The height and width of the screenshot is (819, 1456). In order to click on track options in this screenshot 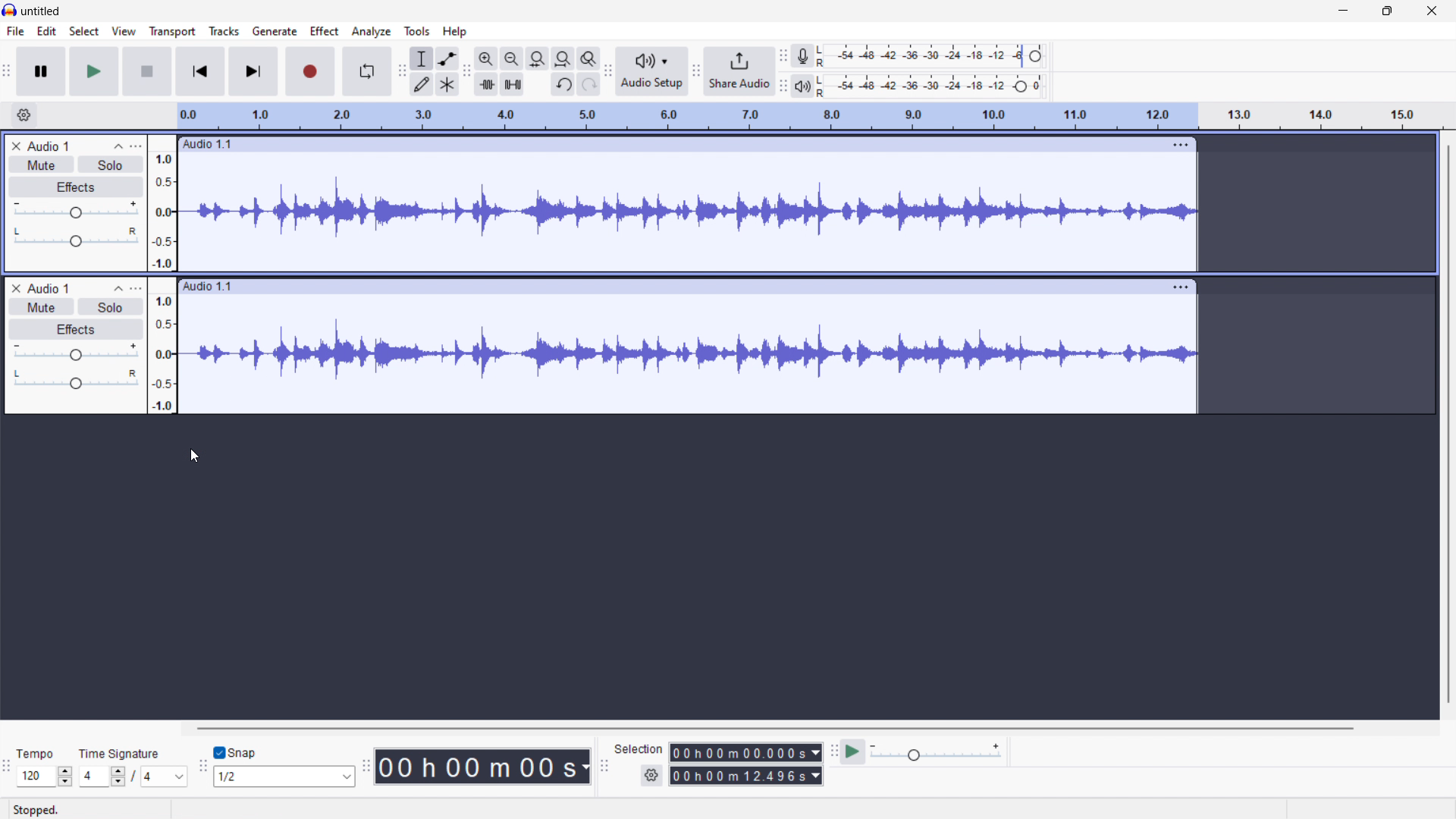, I will do `click(1178, 286)`.